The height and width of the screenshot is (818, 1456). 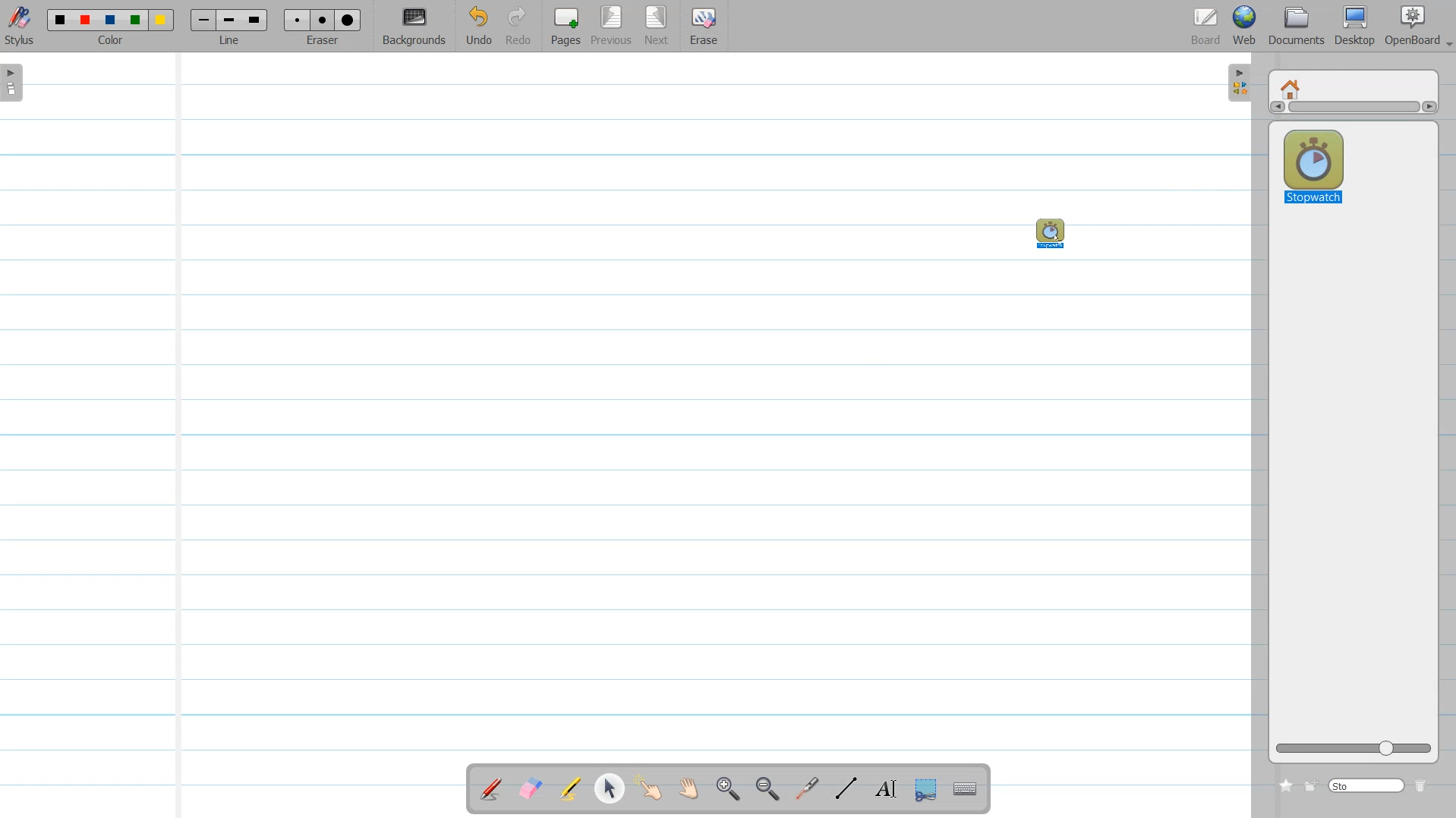 I want to click on Web, so click(x=1245, y=26).